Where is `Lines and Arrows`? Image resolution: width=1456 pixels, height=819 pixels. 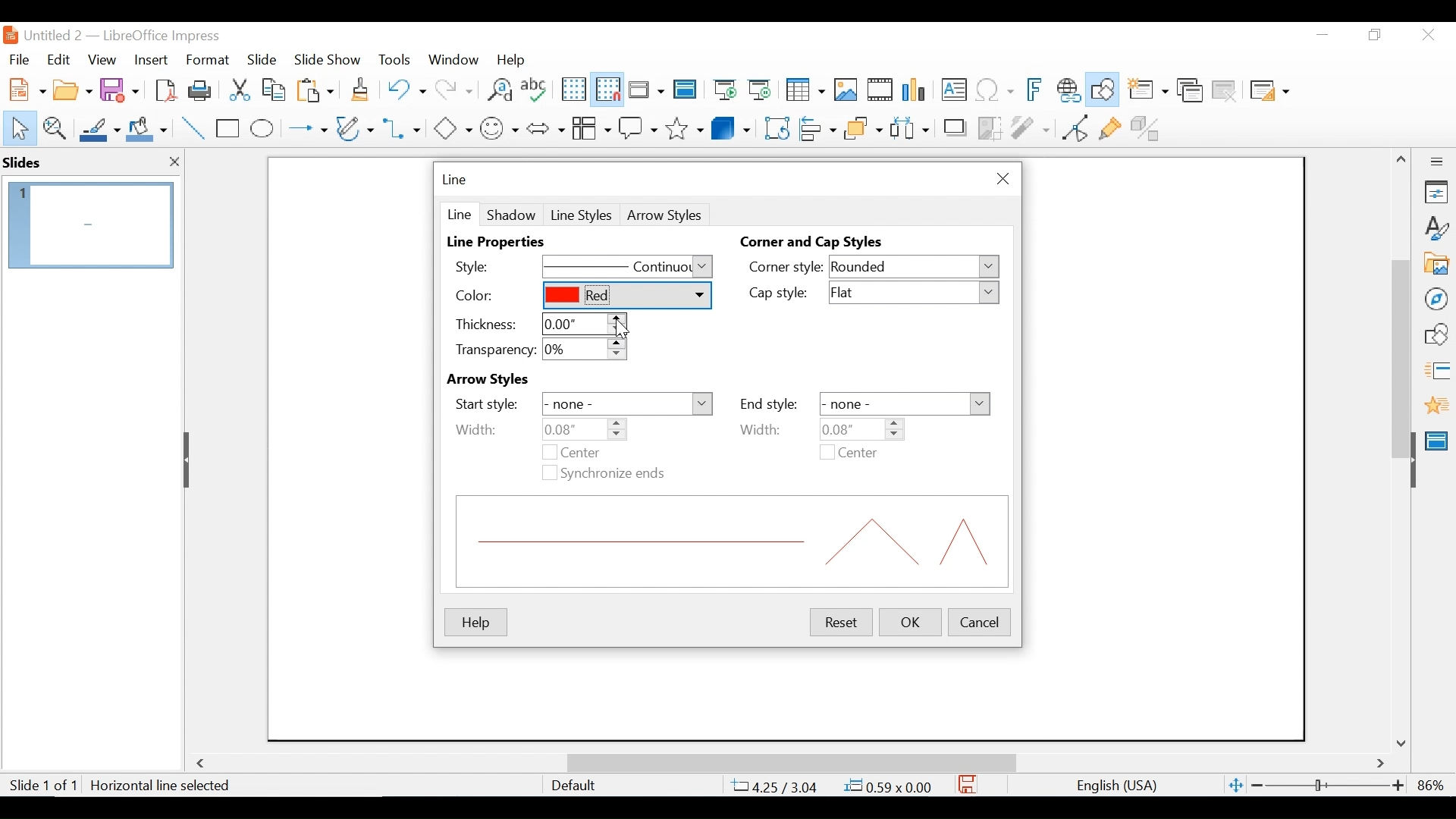 Lines and Arrows is located at coordinates (304, 129).